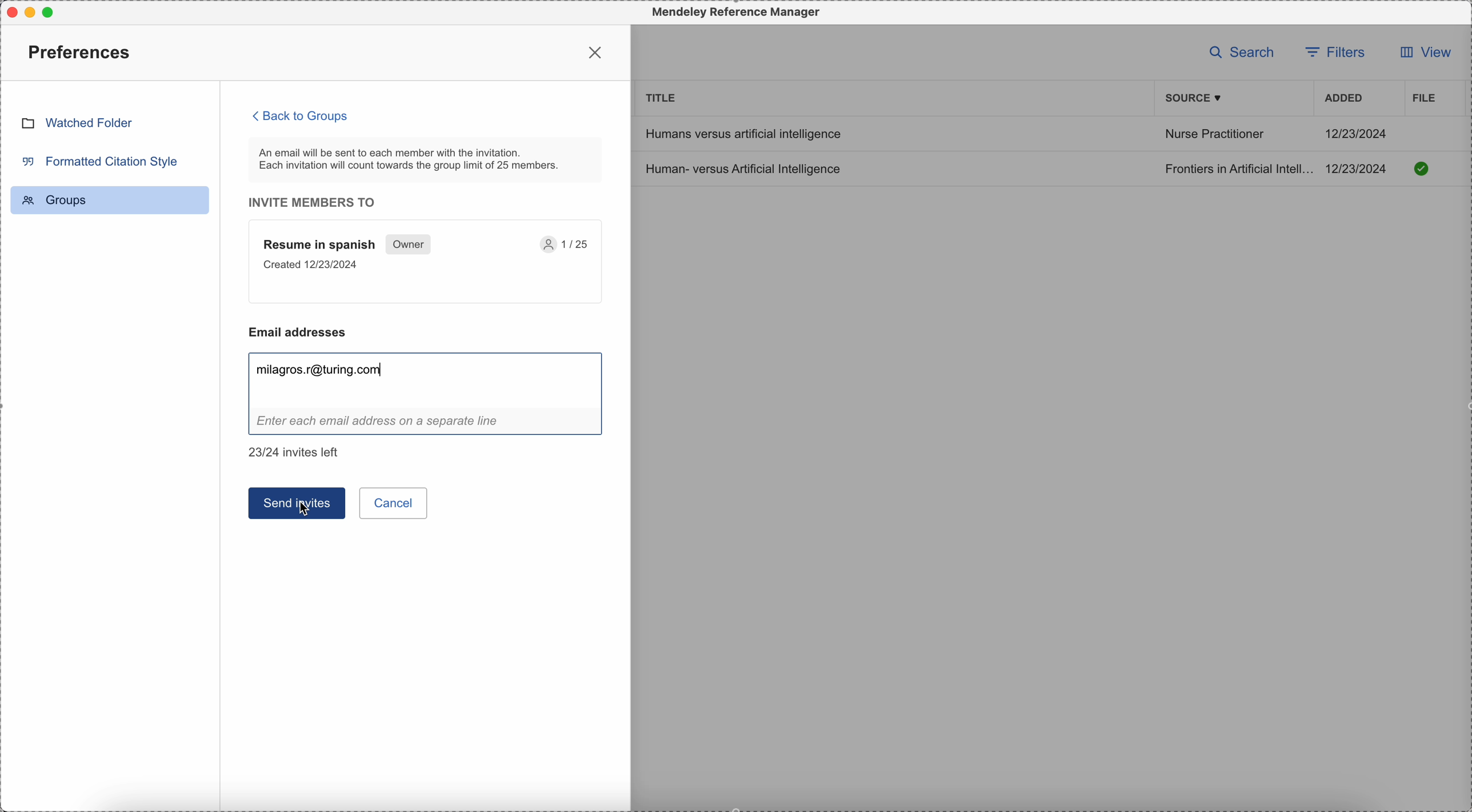  Describe the element at coordinates (426, 159) in the screenshot. I see `An email will be sent to each member with the invitation. Each invitation will count towards the group limit of 25 members.` at that location.